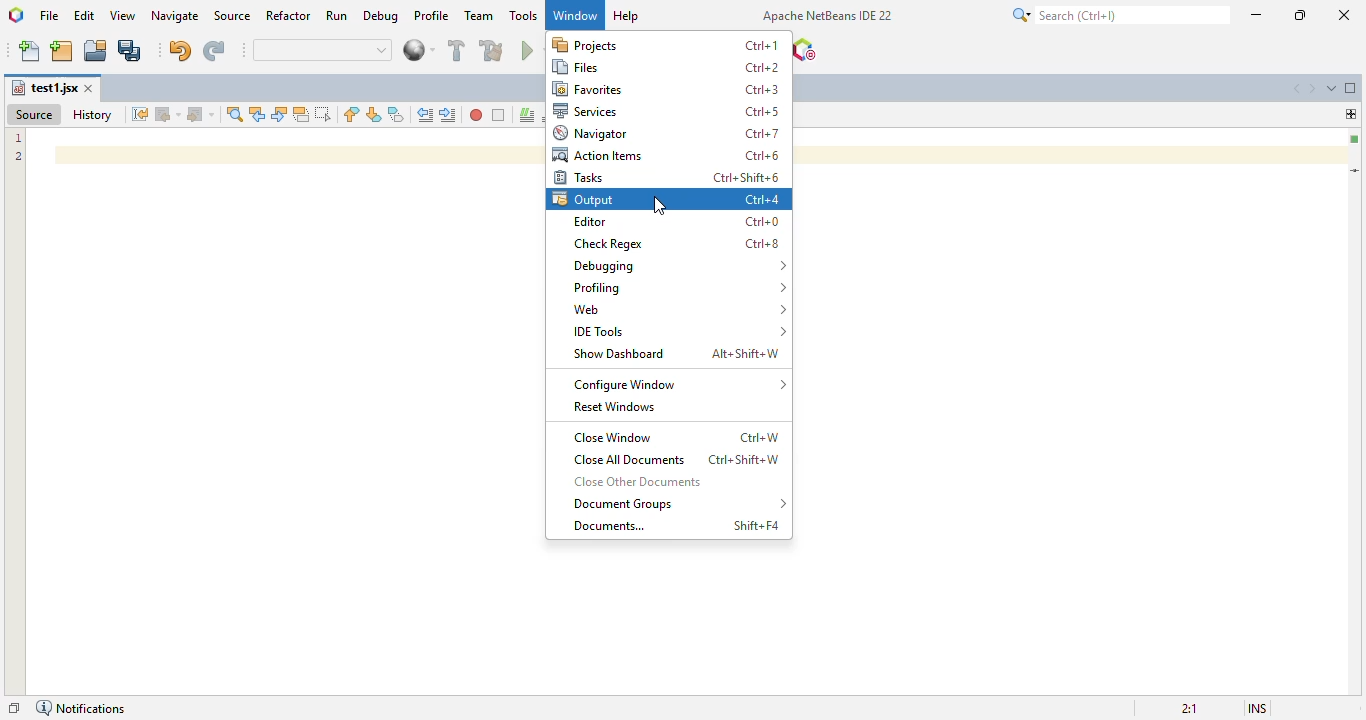 The image size is (1366, 720). What do you see at coordinates (374, 114) in the screenshot?
I see `next bookmark` at bounding box center [374, 114].